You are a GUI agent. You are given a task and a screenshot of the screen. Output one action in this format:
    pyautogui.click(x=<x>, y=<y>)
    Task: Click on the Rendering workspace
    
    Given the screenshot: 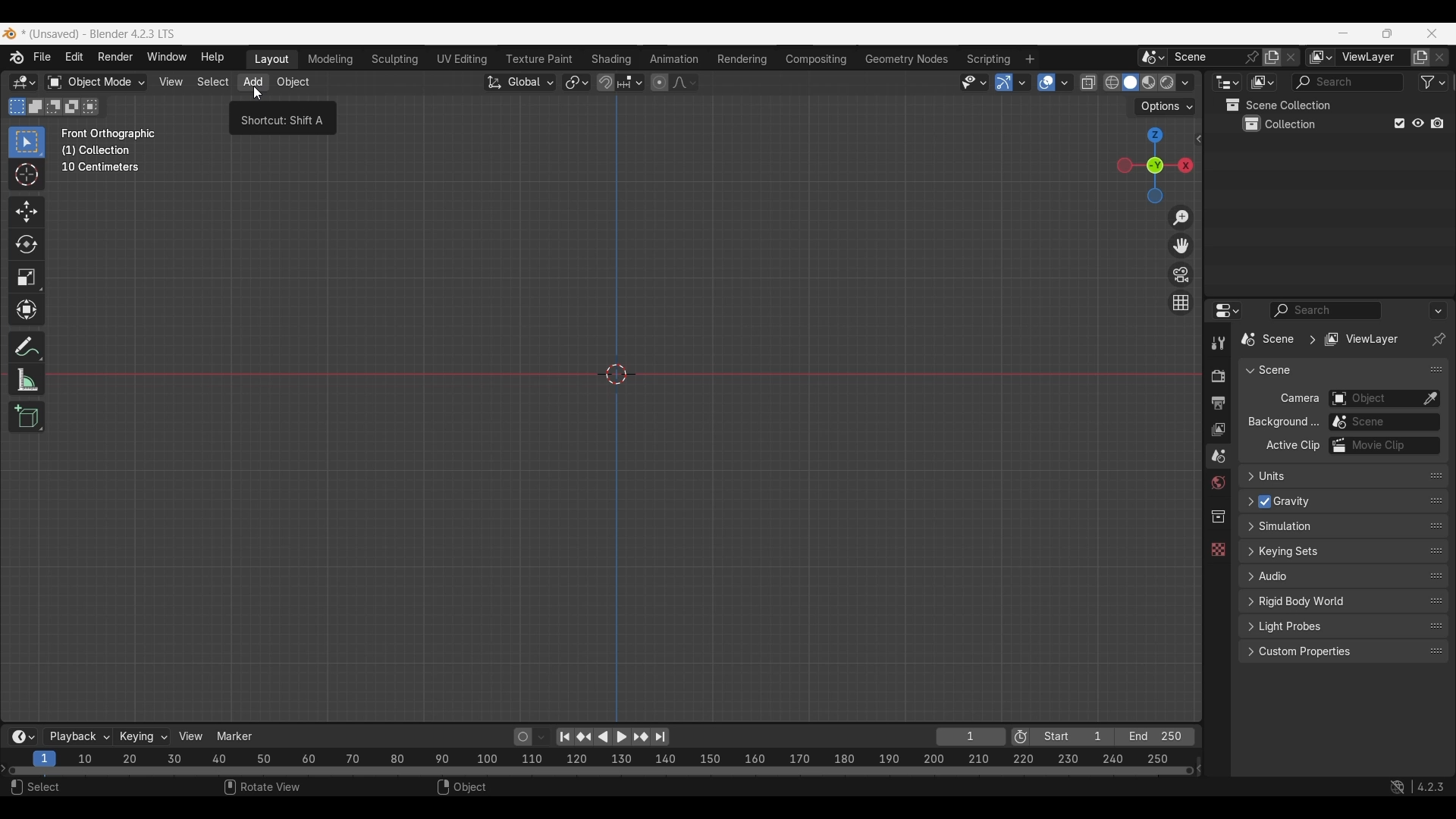 What is the action you would take?
    pyautogui.click(x=742, y=58)
    